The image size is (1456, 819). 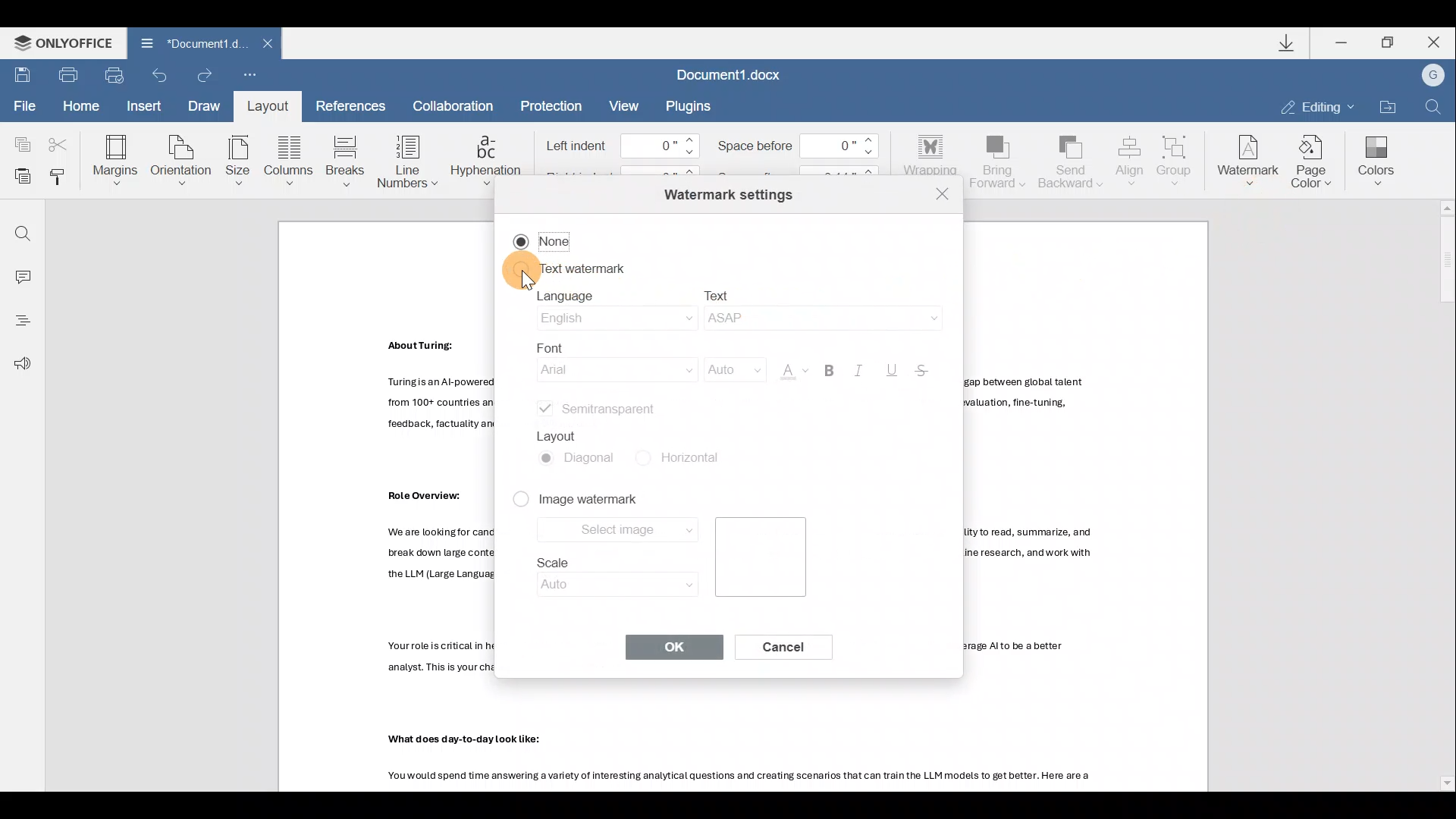 What do you see at coordinates (624, 104) in the screenshot?
I see `View` at bounding box center [624, 104].